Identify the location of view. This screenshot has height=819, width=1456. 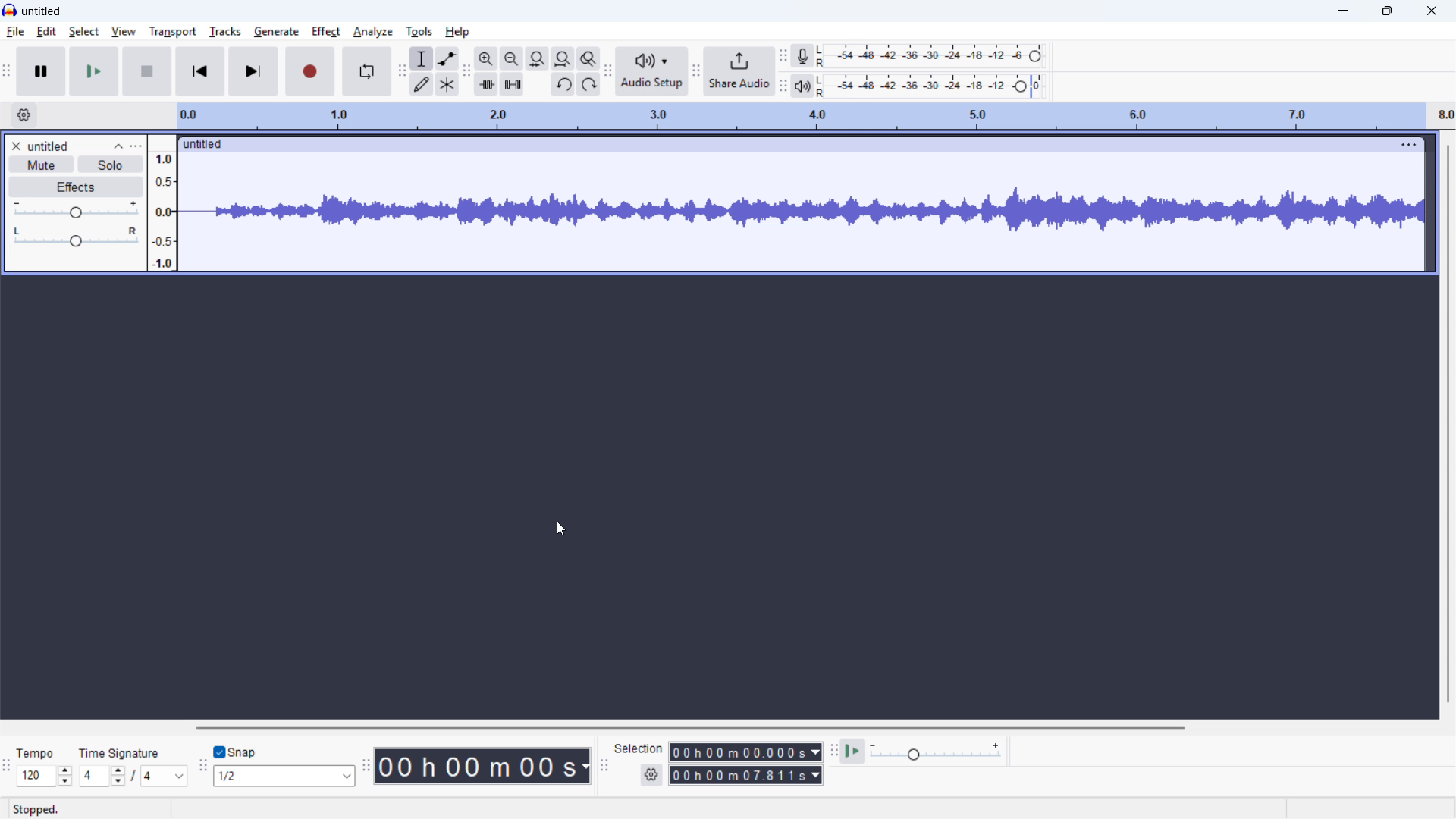
(124, 31).